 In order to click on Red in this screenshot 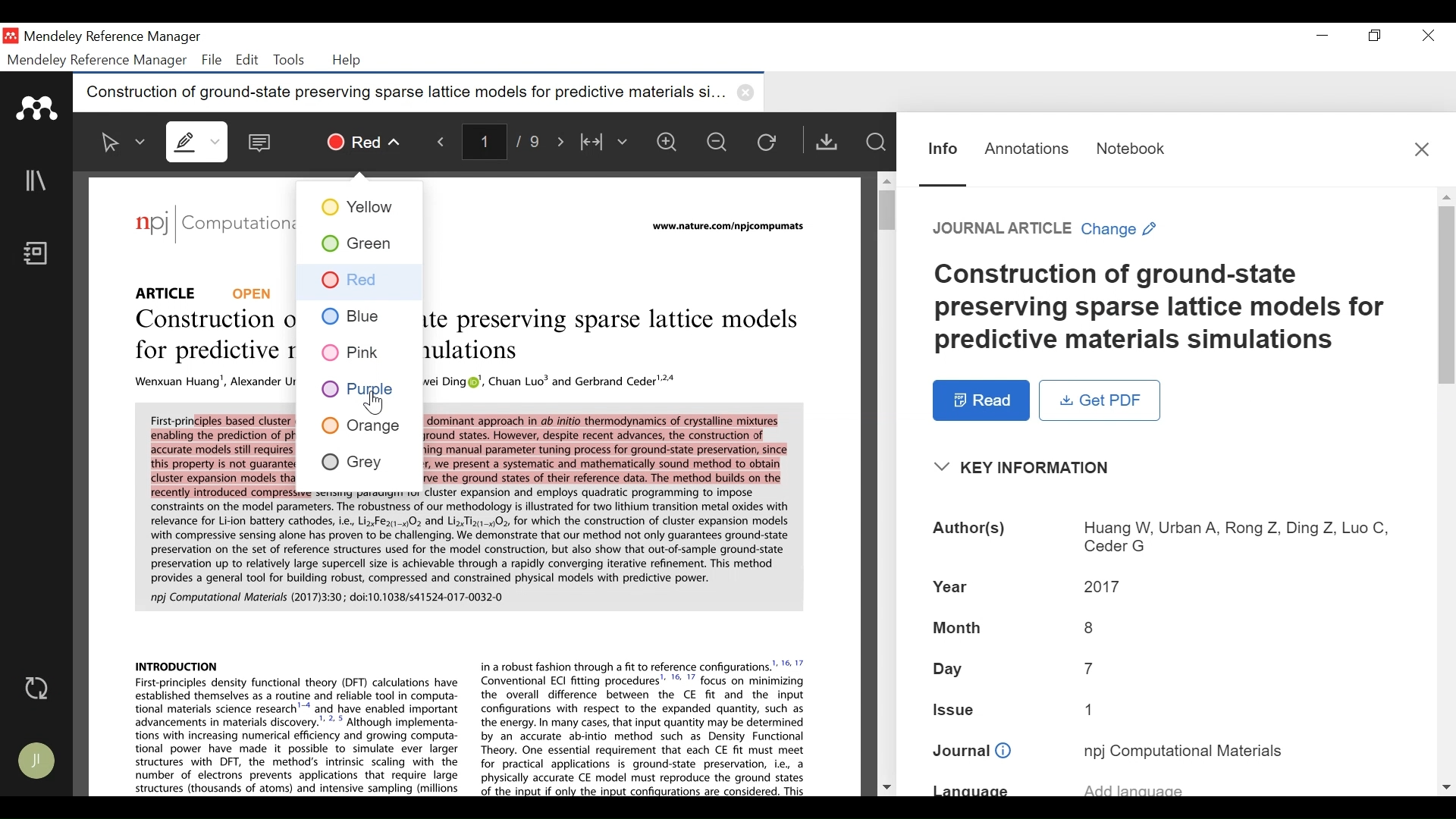, I will do `click(362, 143)`.